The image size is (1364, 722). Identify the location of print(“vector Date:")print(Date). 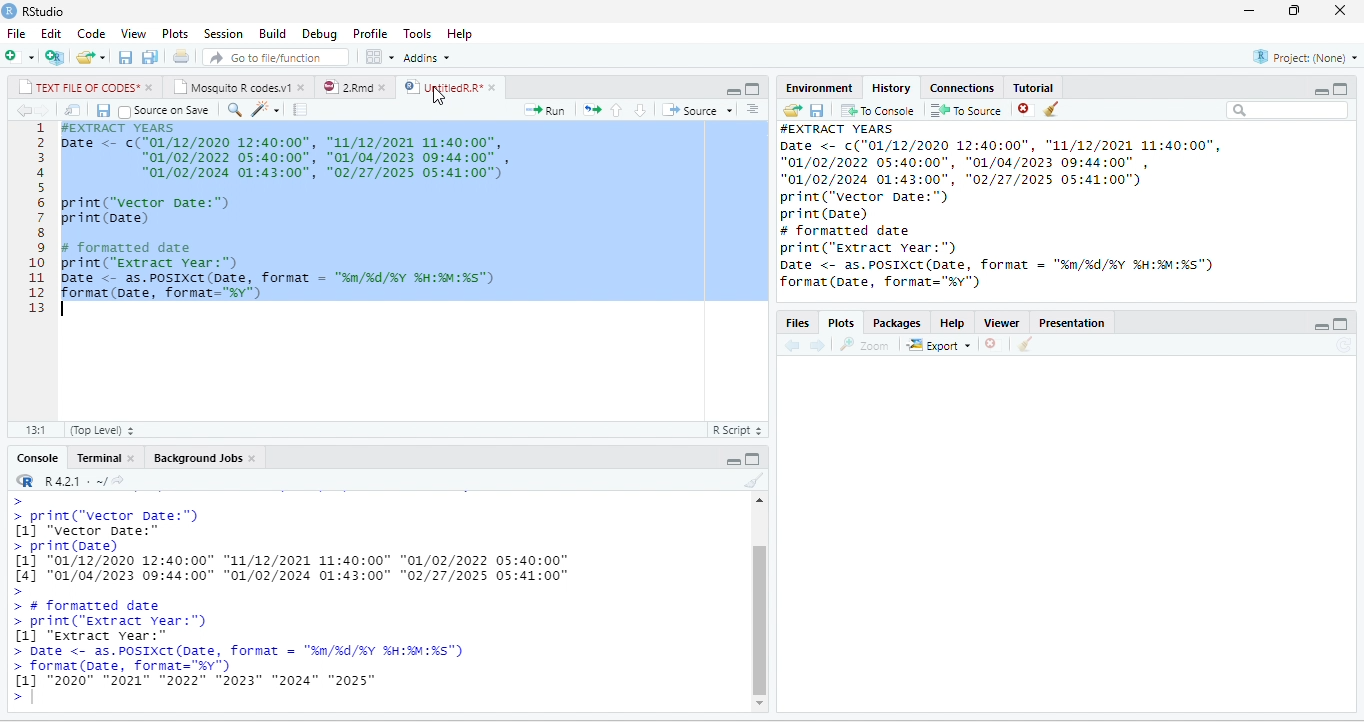
(904, 206).